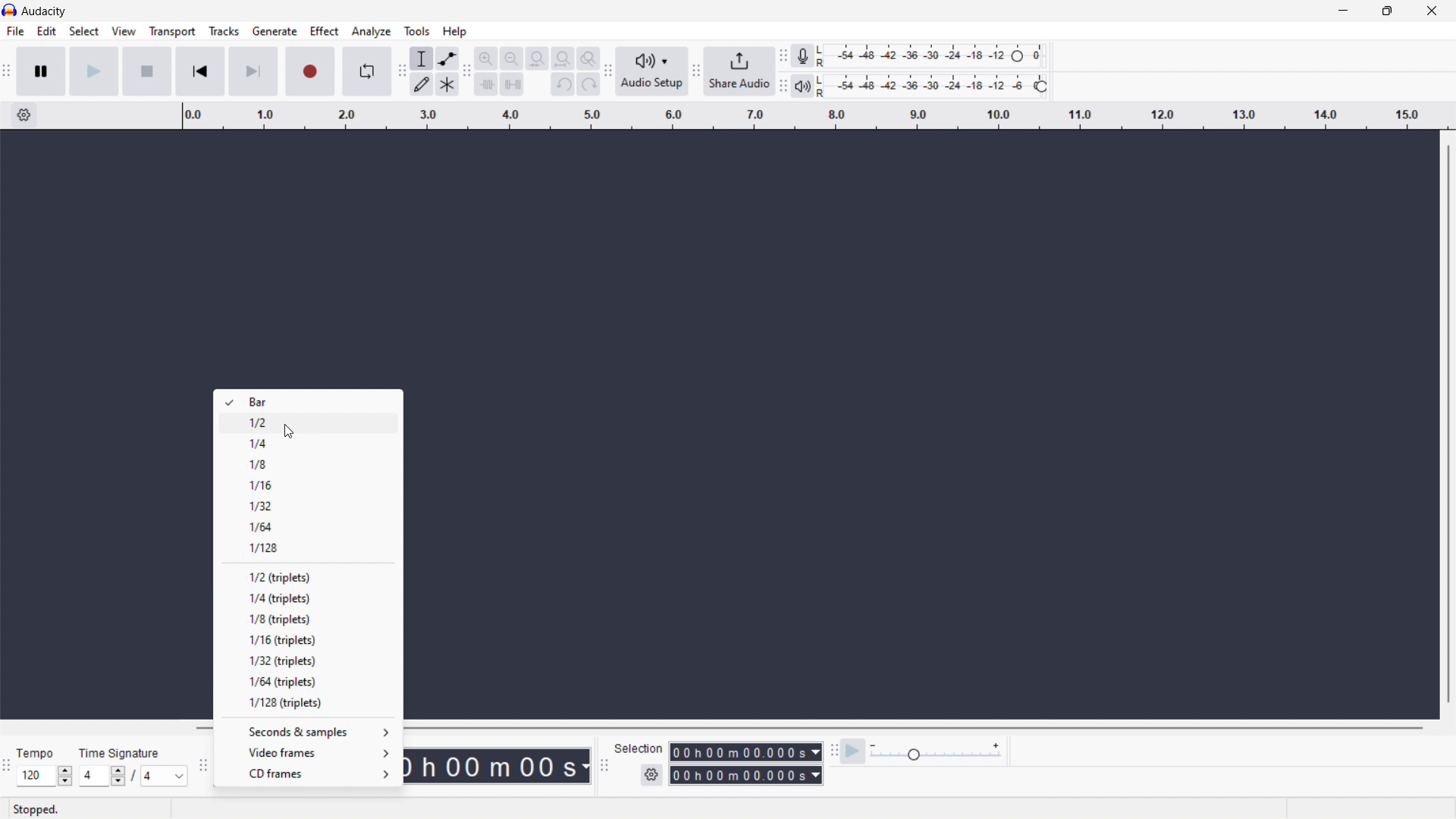 This screenshot has height=819, width=1456. Describe the element at coordinates (417, 30) in the screenshot. I see `tools` at that location.